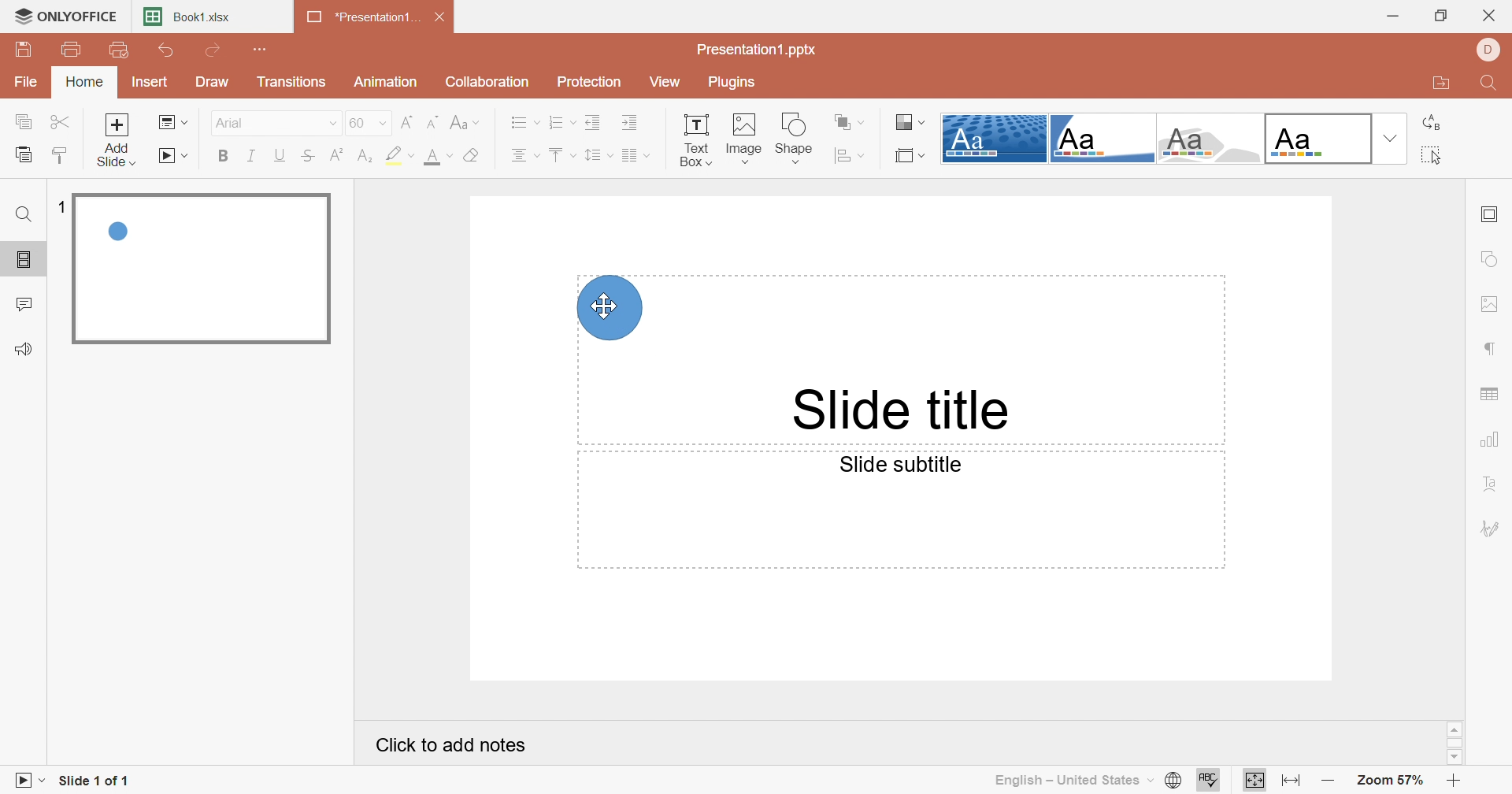 The width and height of the screenshot is (1512, 794). I want to click on Spell checking, so click(1210, 781).